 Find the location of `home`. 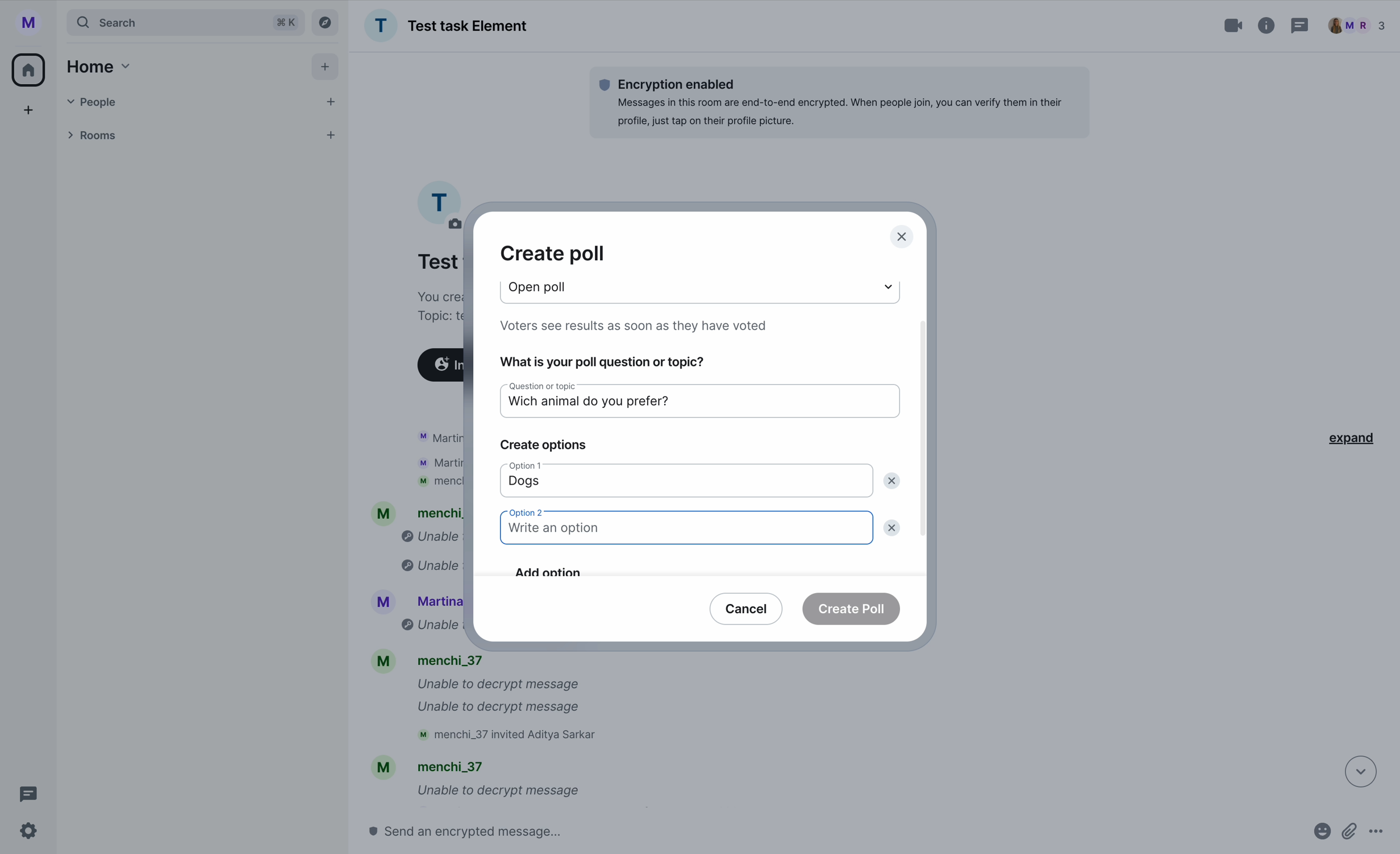

home is located at coordinates (30, 69).